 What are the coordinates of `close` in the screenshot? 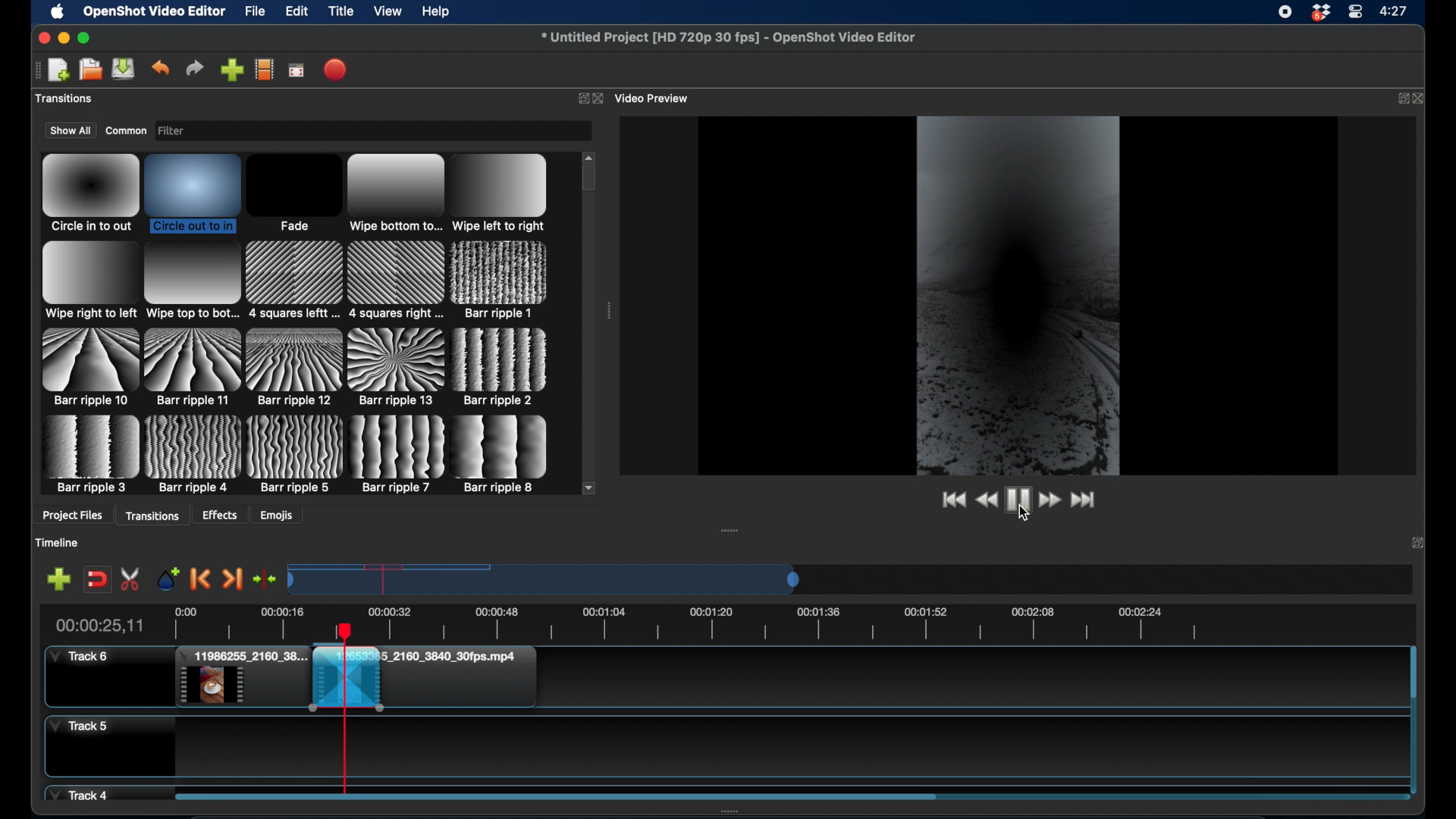 It's located at (1422, 98).